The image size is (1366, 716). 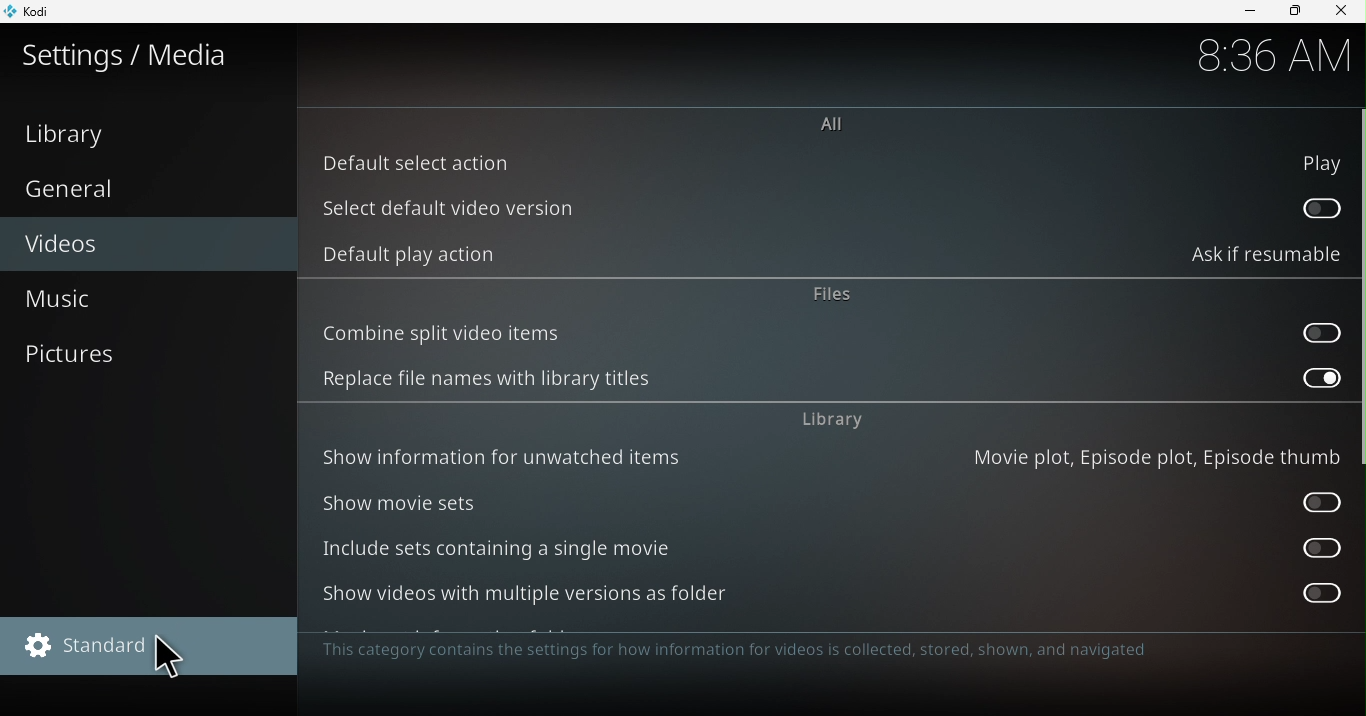 What do you see at coordinates (145, 127) in the screenshot?
I see `Library` at bounding box center [145, 127].